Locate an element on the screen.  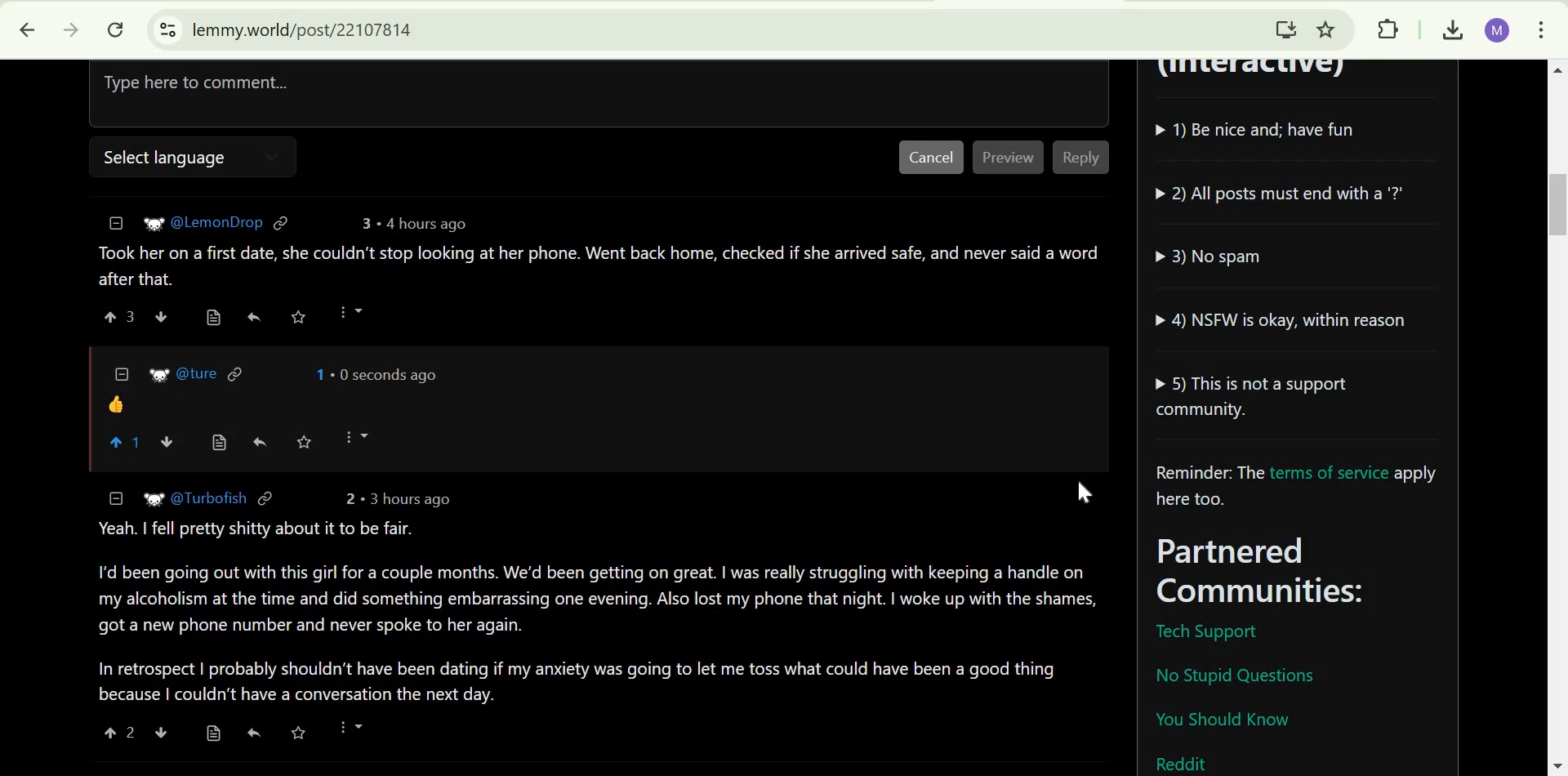
cursor is located at coordinates (1087, 493).